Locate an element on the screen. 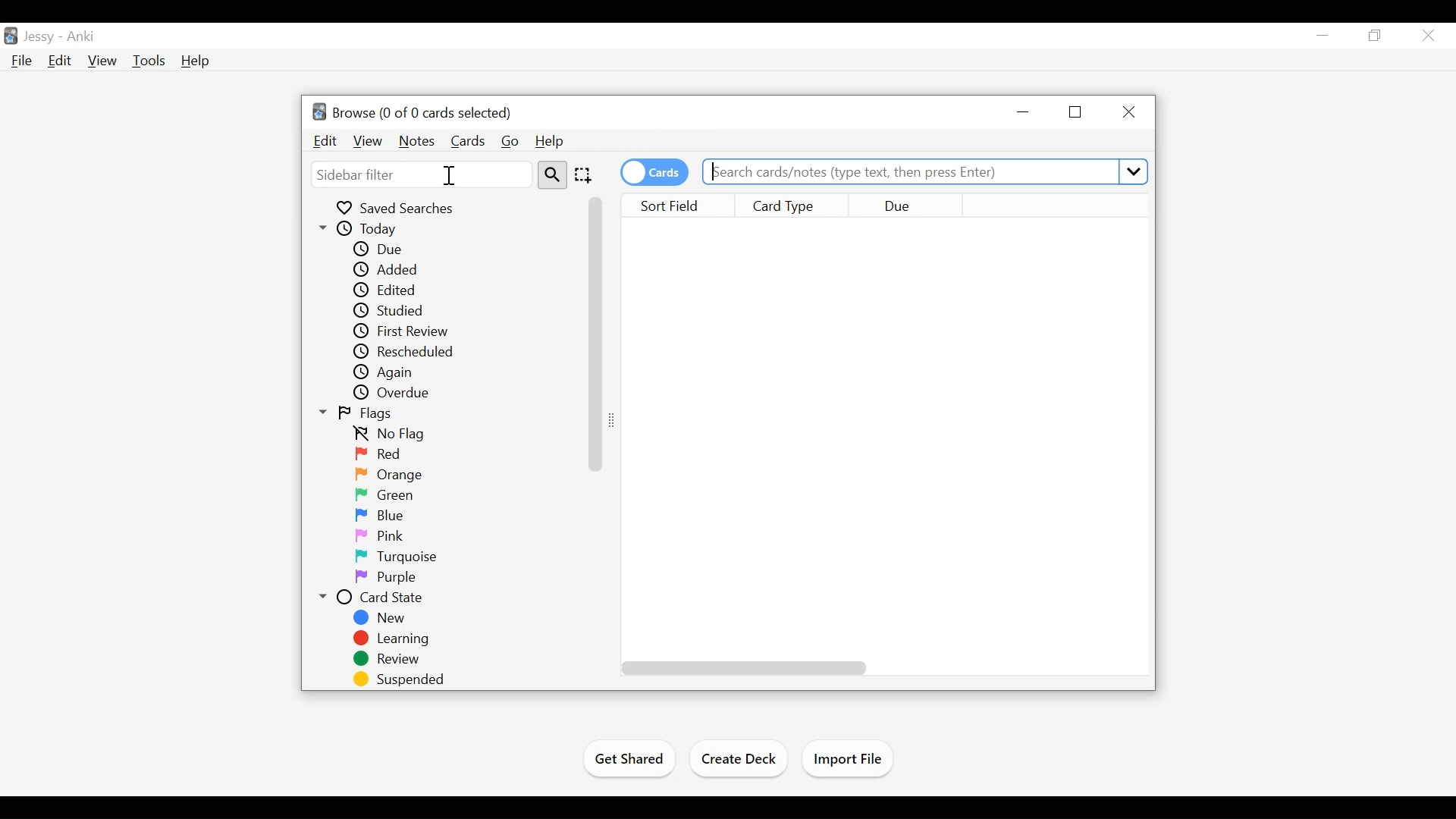 The image size is (1456, 819). First Review is located at coordinates (402, 331).